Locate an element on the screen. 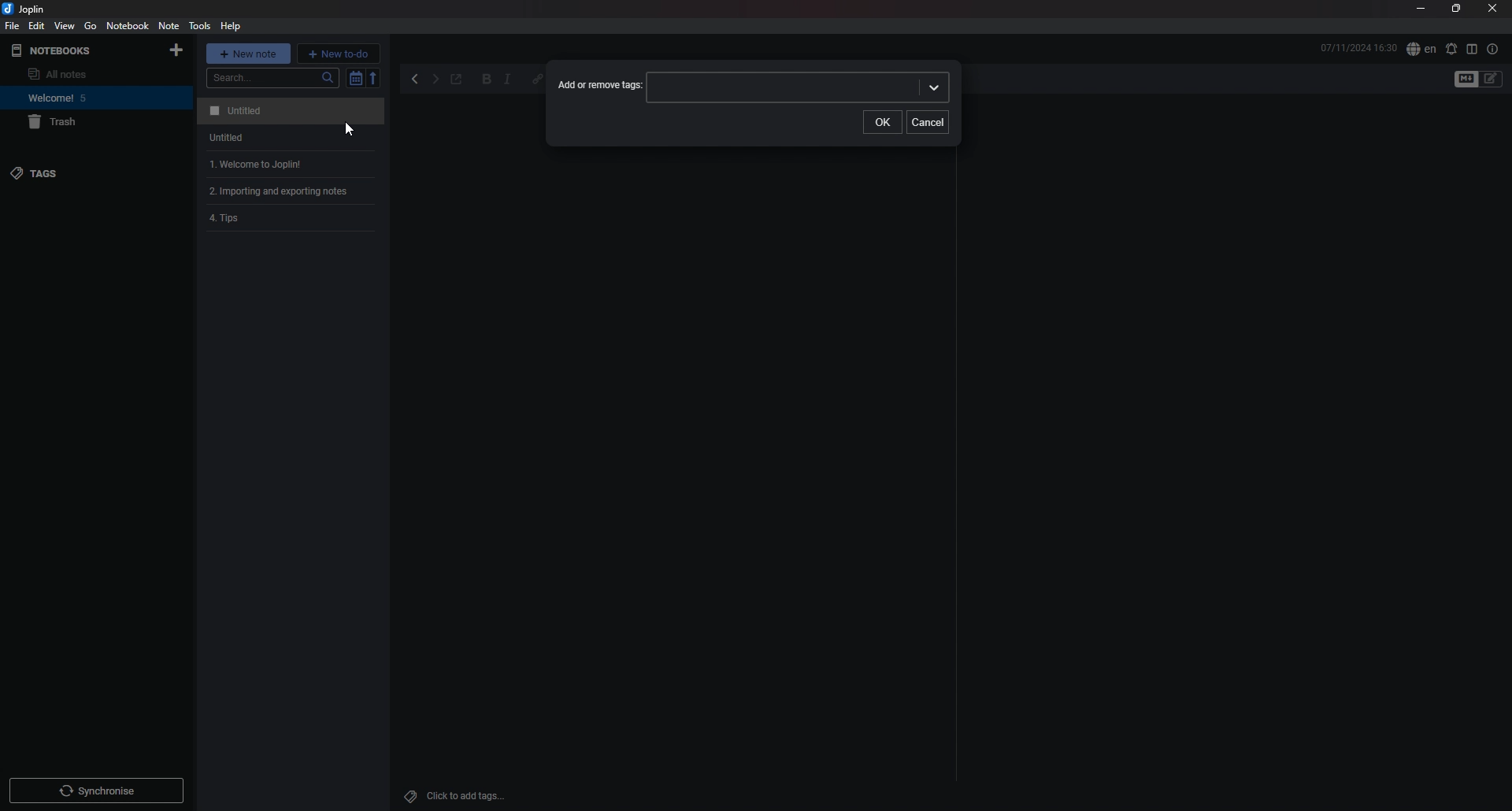 The height and width of the screenshot is (811, 1512). reverse sort order is located at coordinates (375, 77).